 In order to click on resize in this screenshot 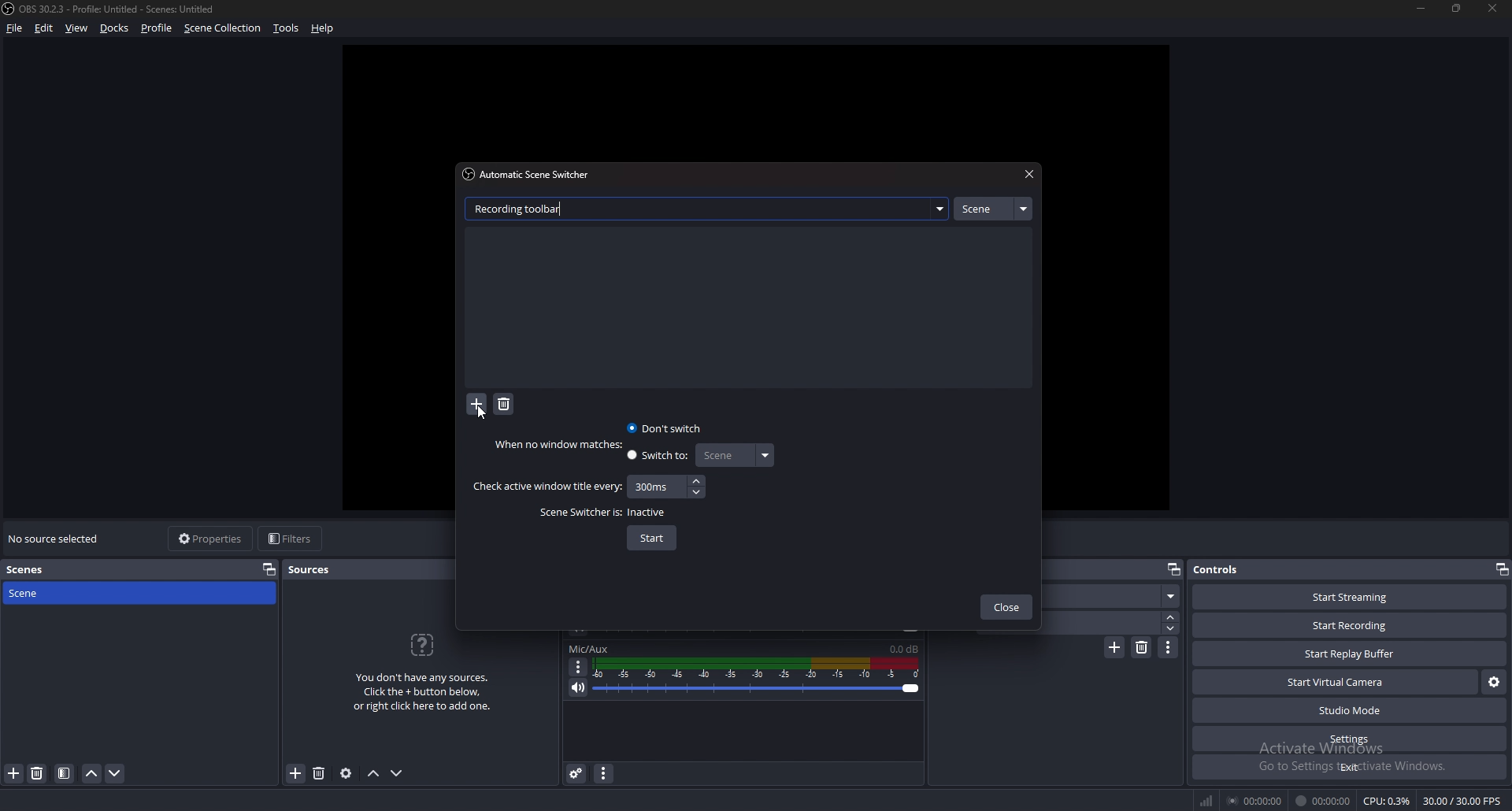, I will do `click(1458, 8)`.